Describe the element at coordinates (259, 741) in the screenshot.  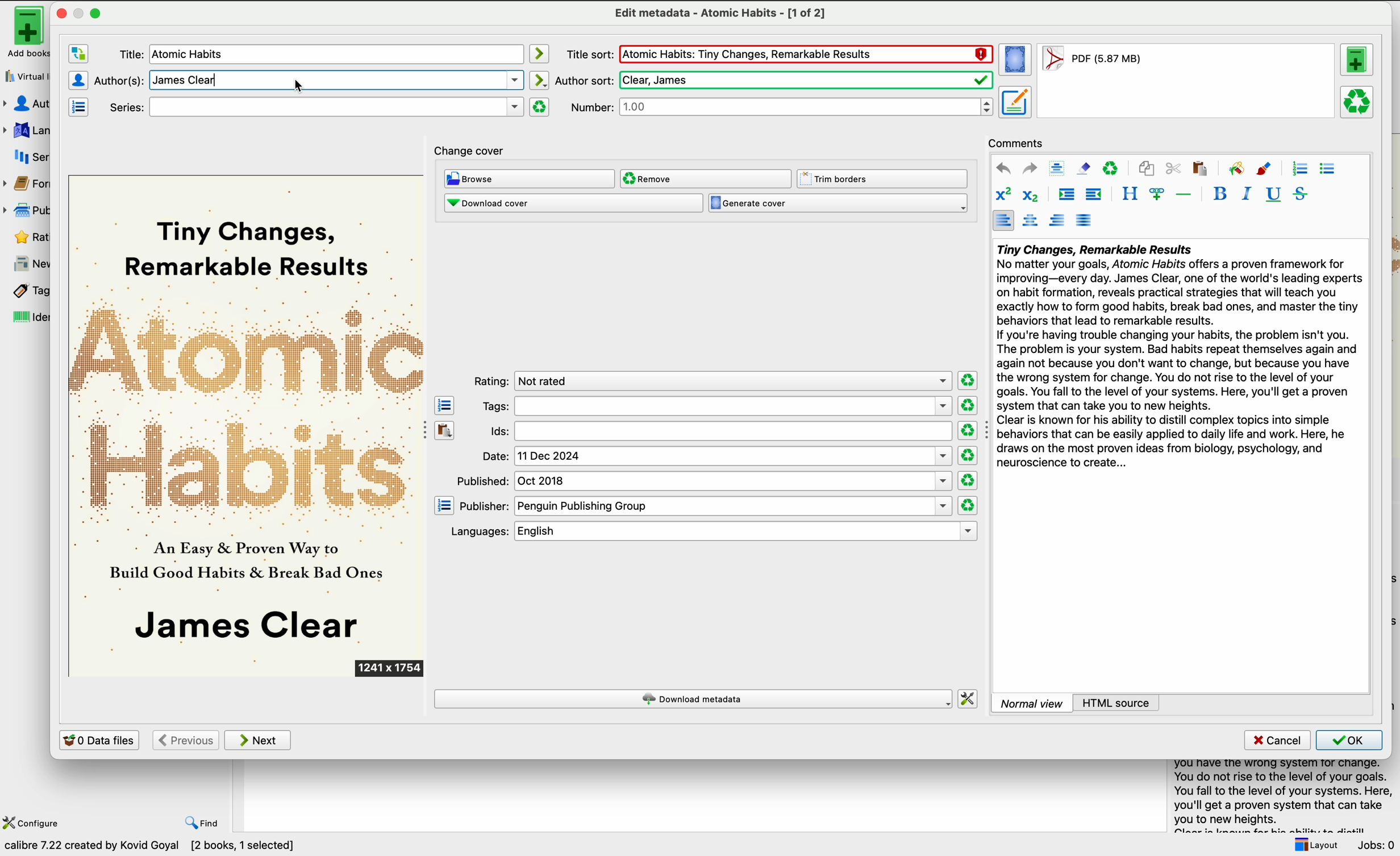
I see `next button` at that location.